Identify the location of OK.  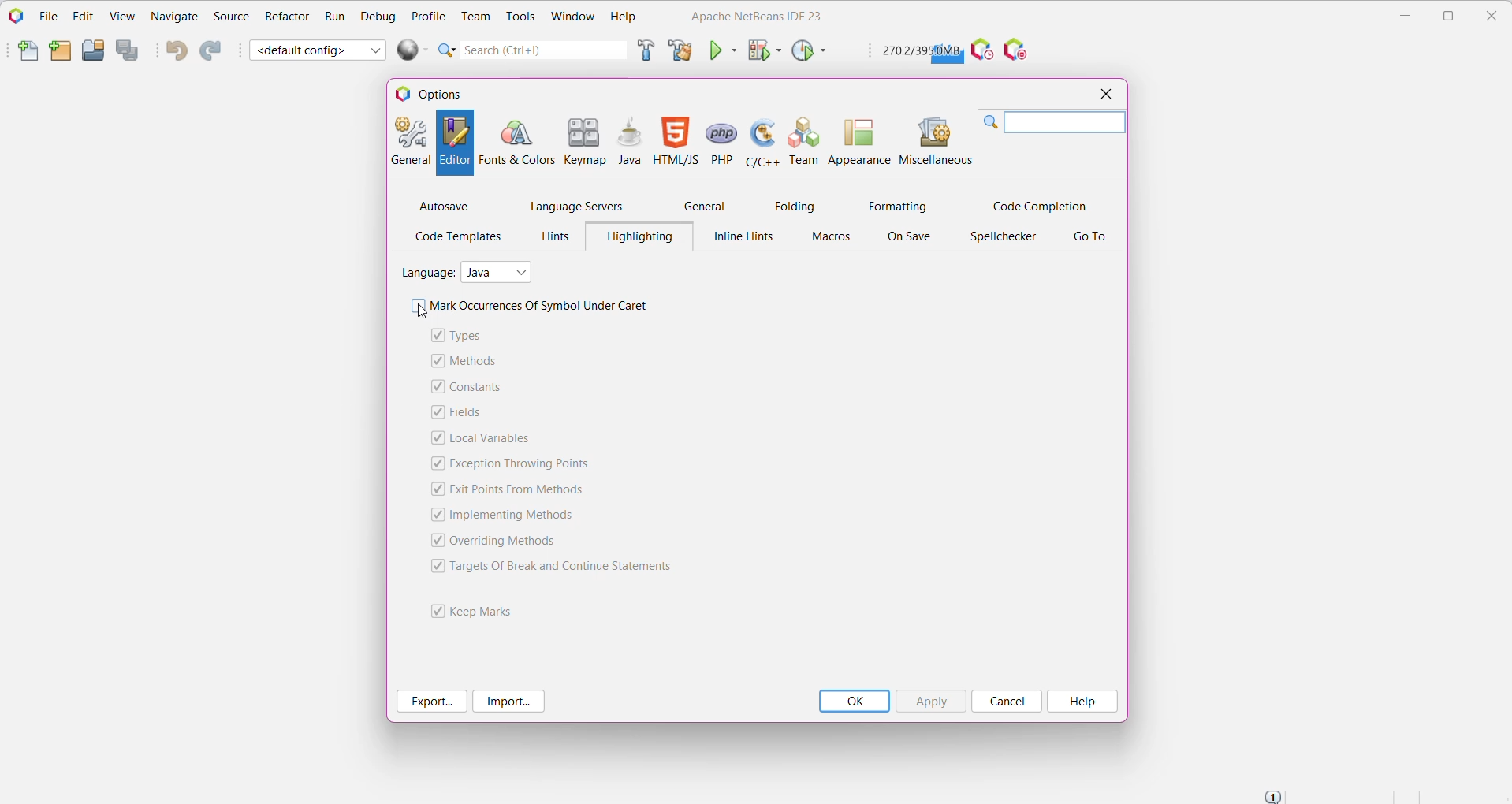
(856, 702).